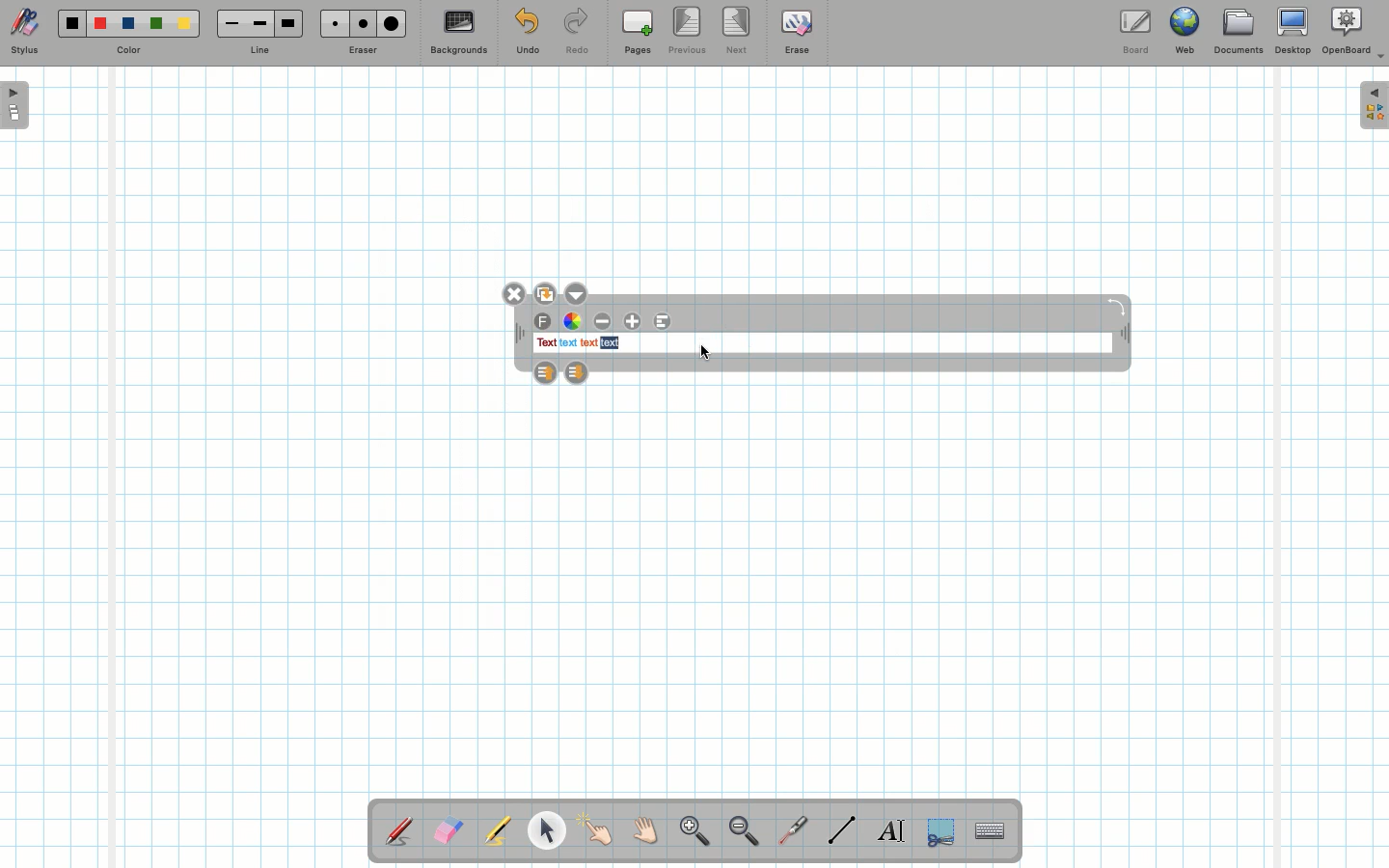  What do you see at coordinates (1353, 31) in the screenshot?
I see `OpenBoard` at bounding box center [1353, 31].